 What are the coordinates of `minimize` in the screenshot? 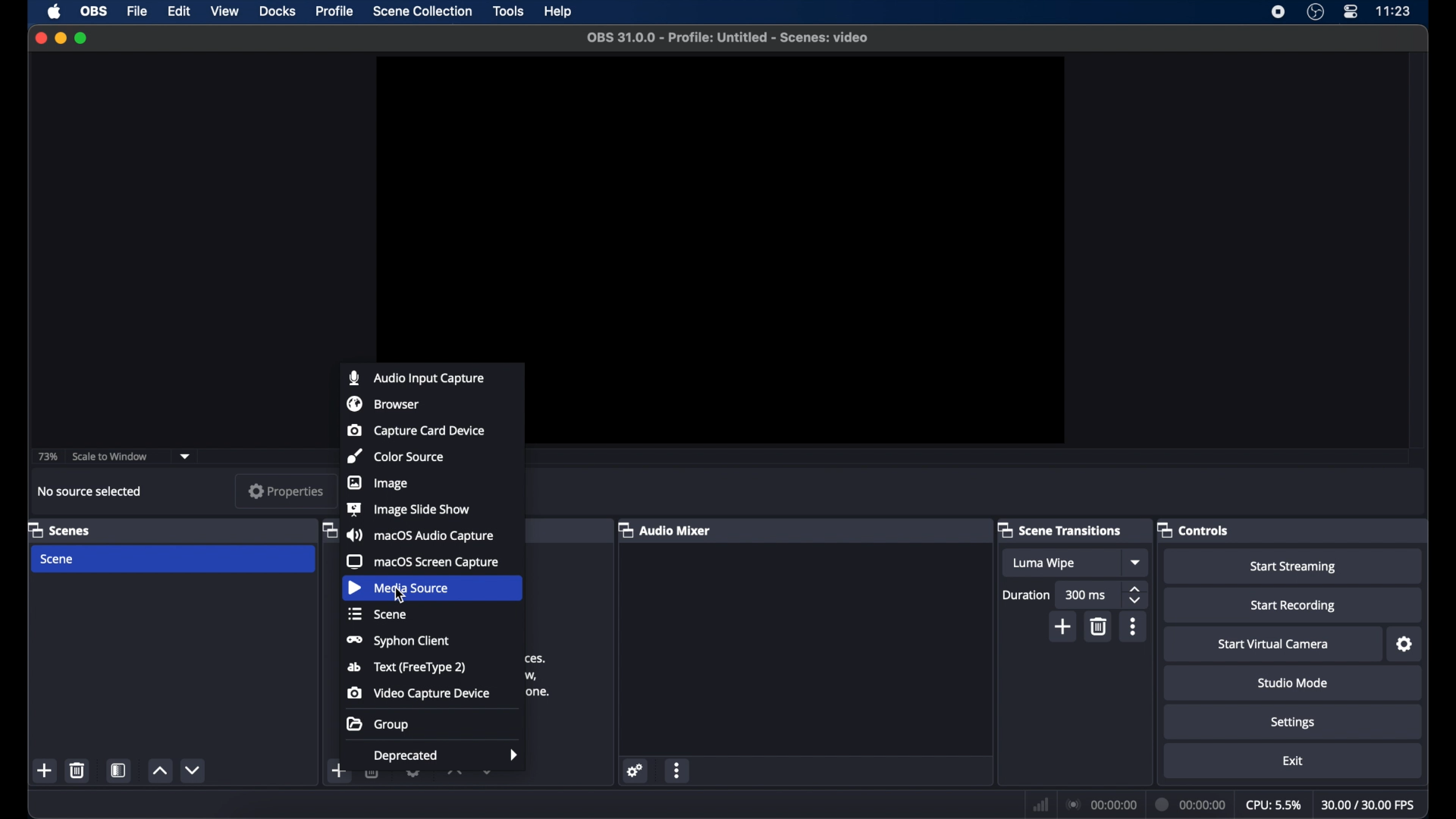 It's located at (60, 38).